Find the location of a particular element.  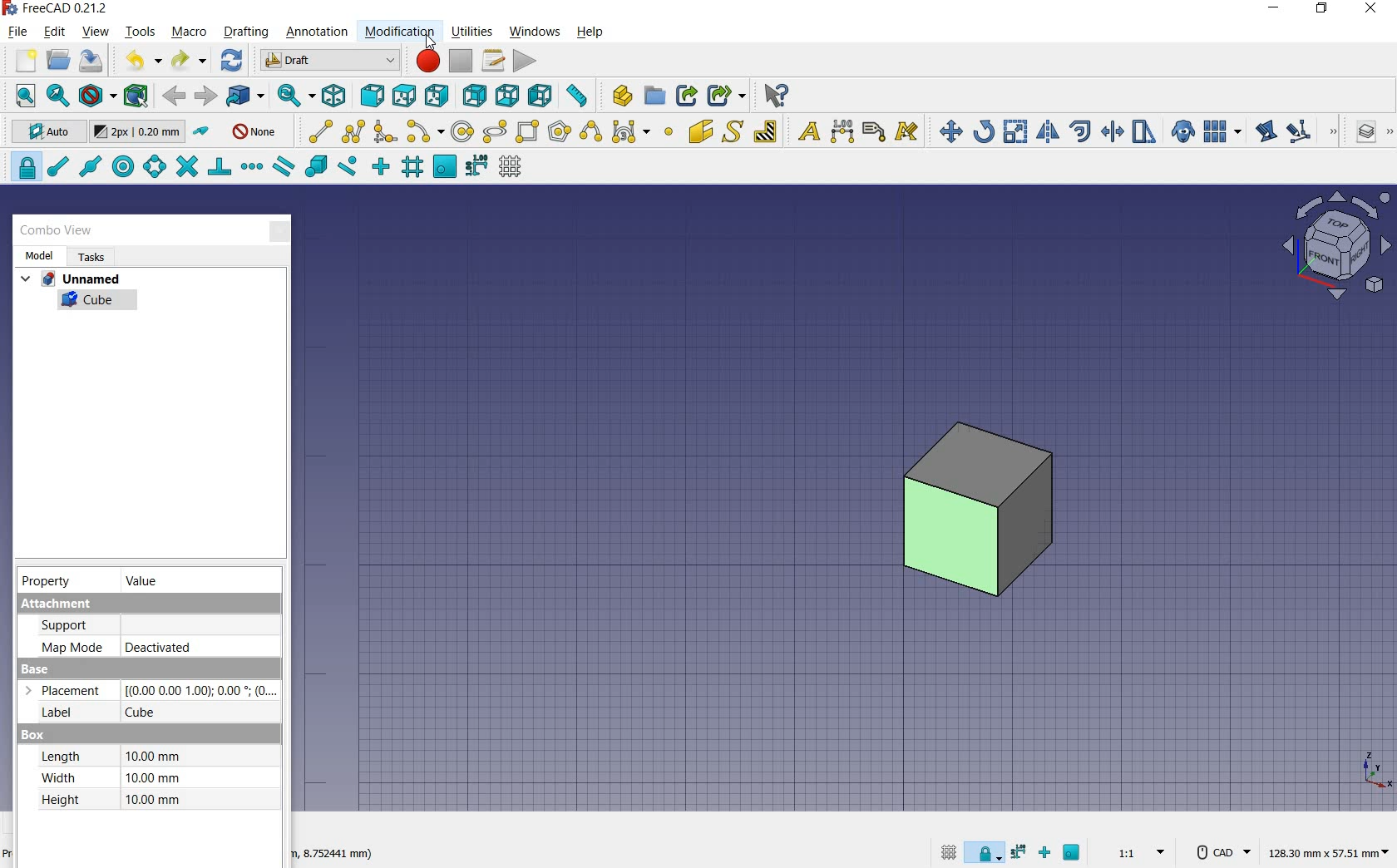

annotation is located at coordinates (319, 32).